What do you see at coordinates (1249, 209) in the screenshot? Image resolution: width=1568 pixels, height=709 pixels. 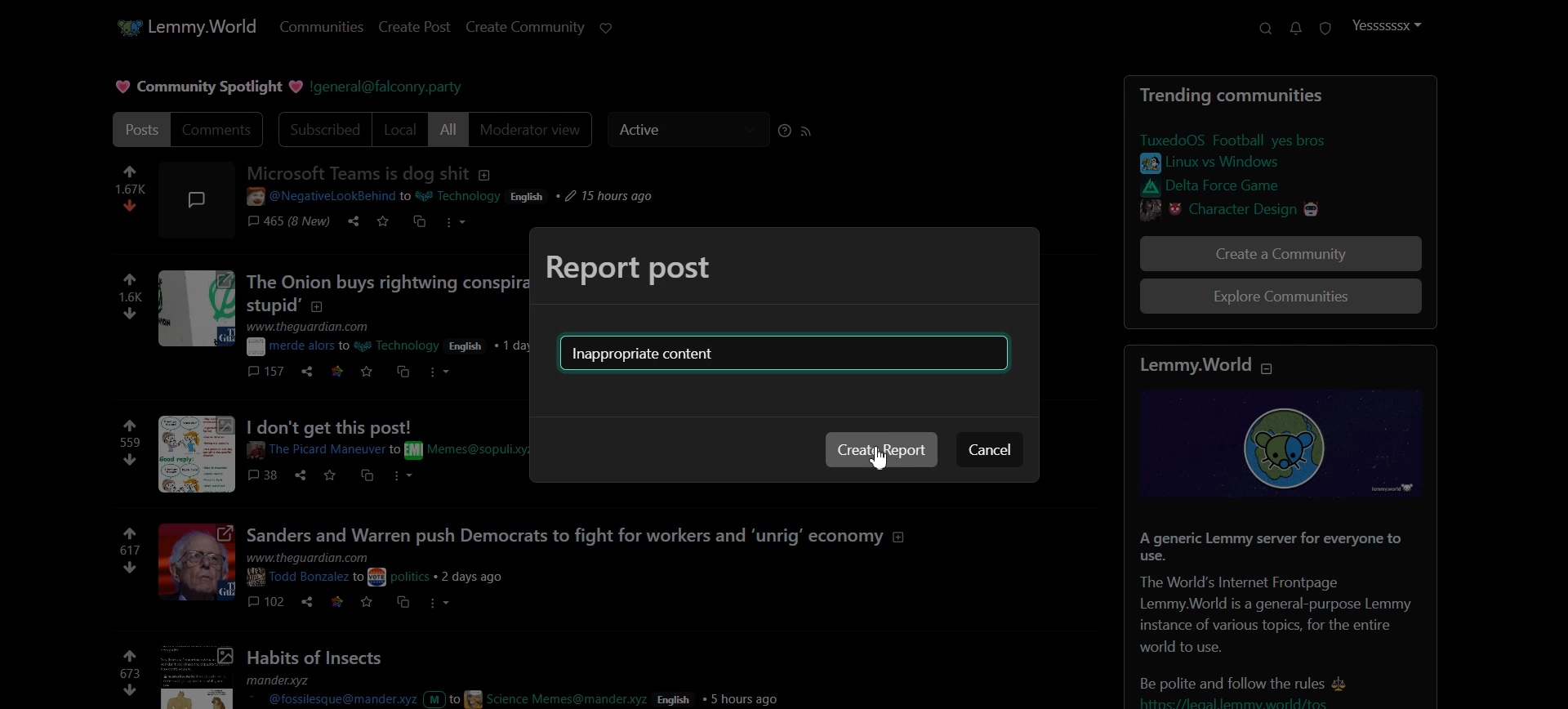 I see `link` at bounding box center [1249, 209].